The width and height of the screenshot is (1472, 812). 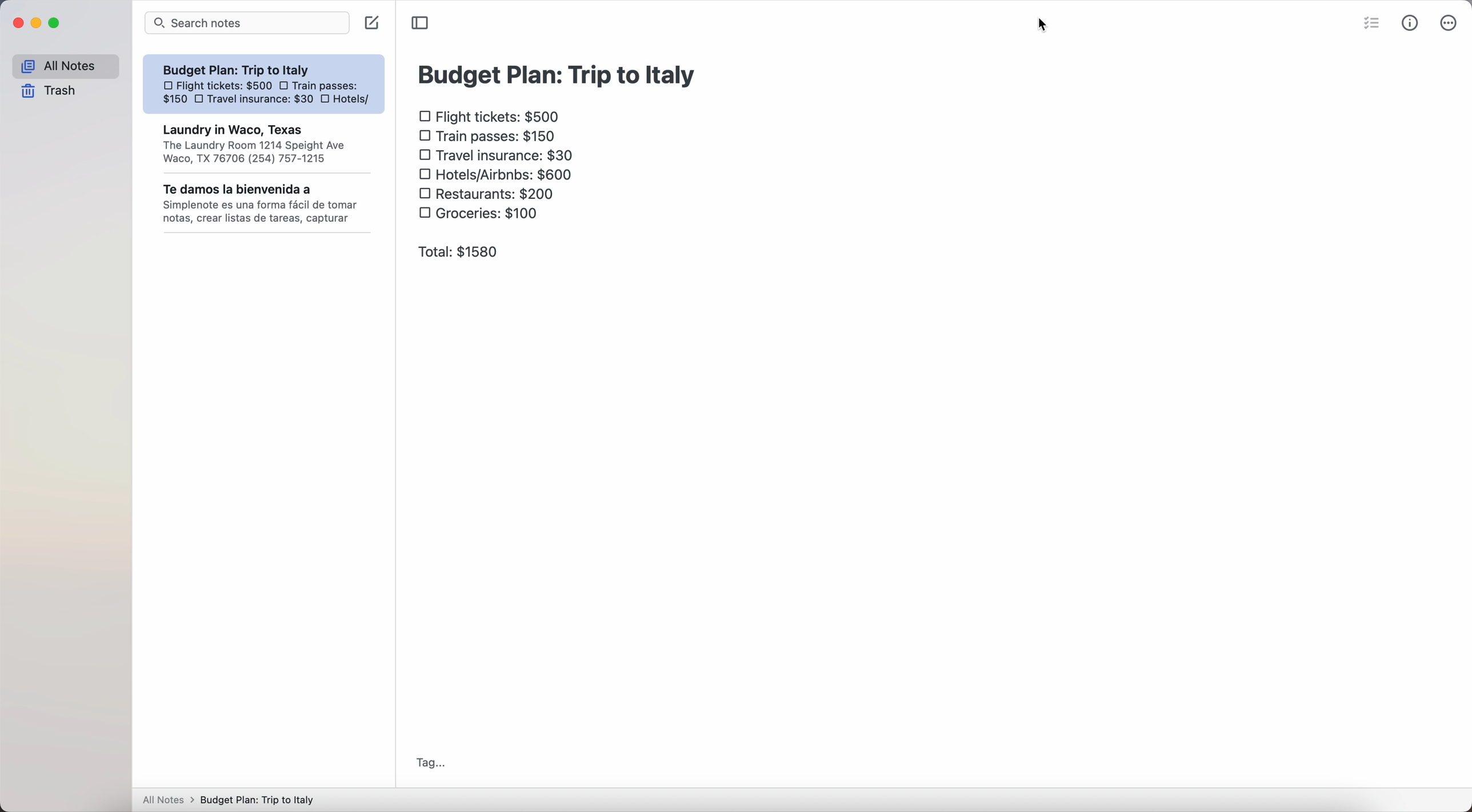 What do you see at coordinates (38, 23) in the screenshot?
I see `minimize Simplenote` at bounding box center [38, 23].